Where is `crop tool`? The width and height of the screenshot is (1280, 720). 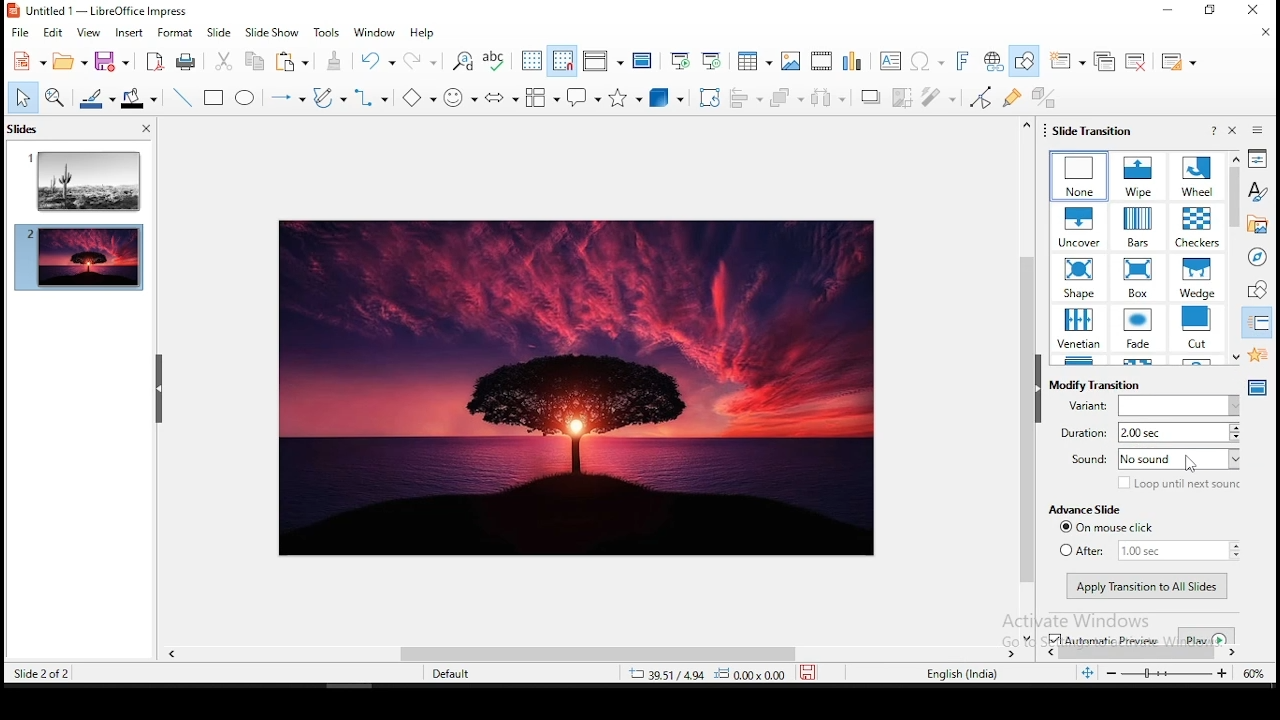 crop tool is located at coordinates (709, 96).